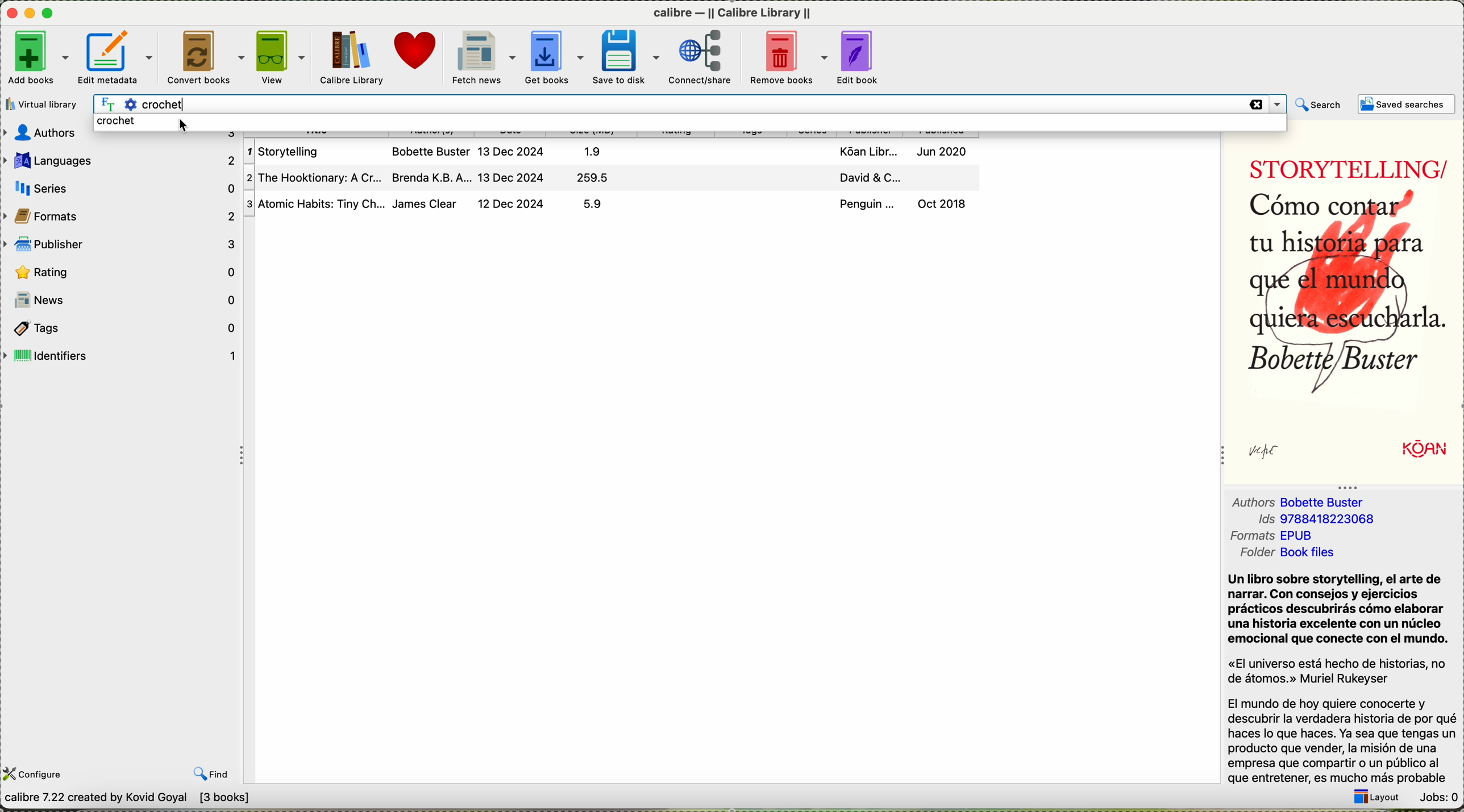 This screenshot has width=1464, height=812. I want to click on configure, so click(35, 773).